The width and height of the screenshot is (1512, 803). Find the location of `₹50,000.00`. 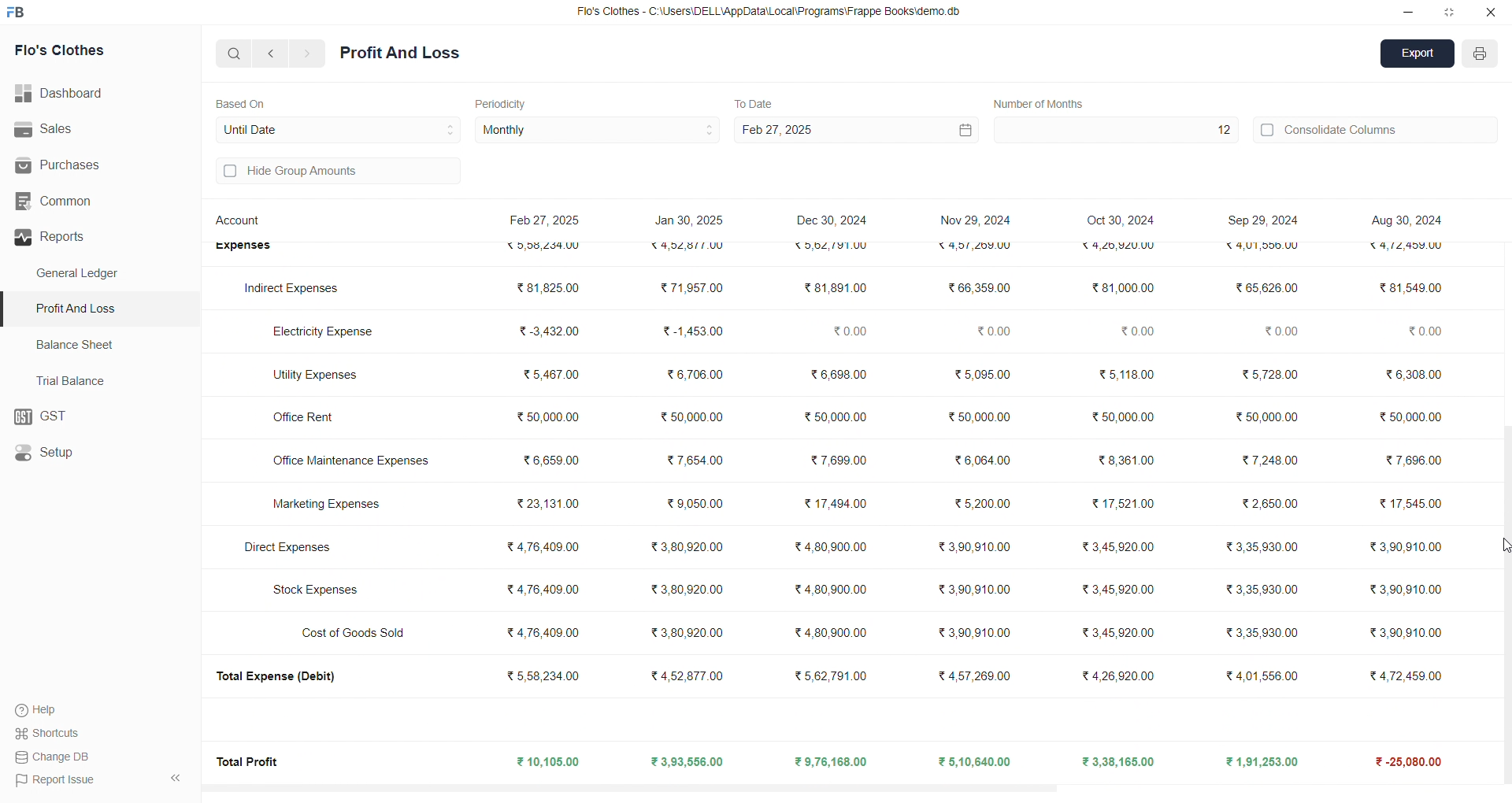

₹50,000.00 is located at coordinates (831, 416).